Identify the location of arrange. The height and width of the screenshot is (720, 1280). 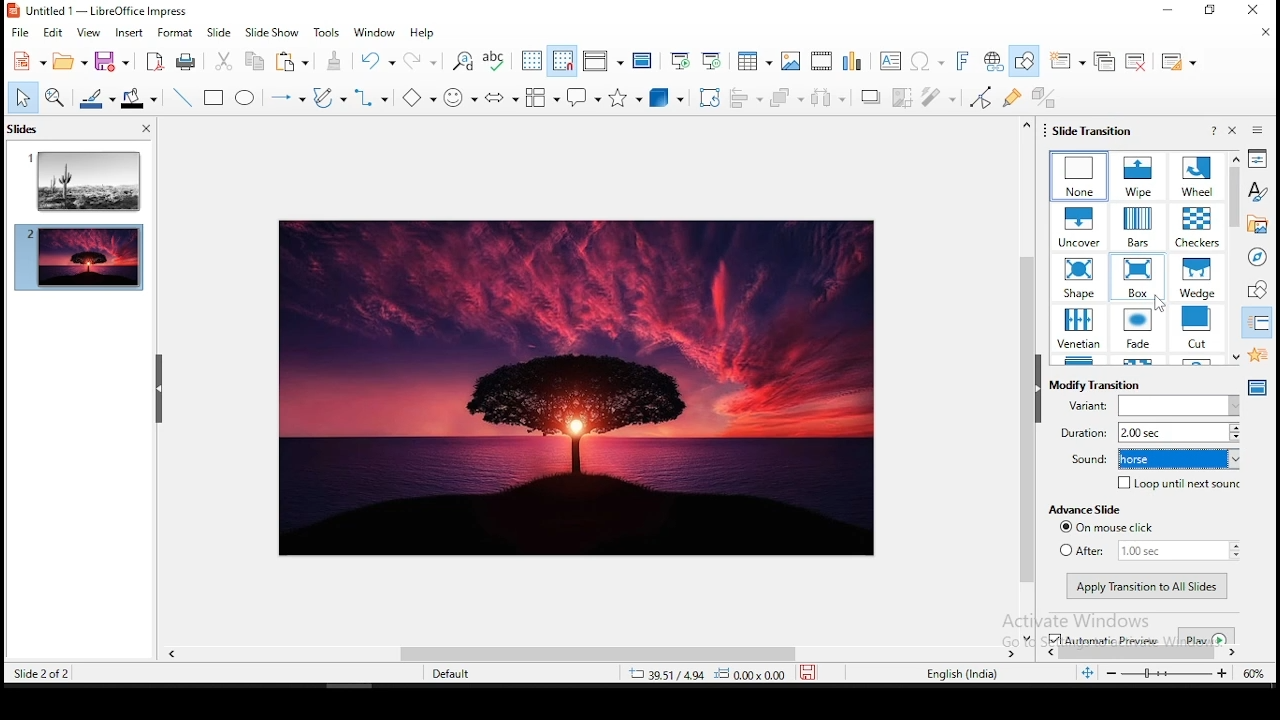
(788, 97).